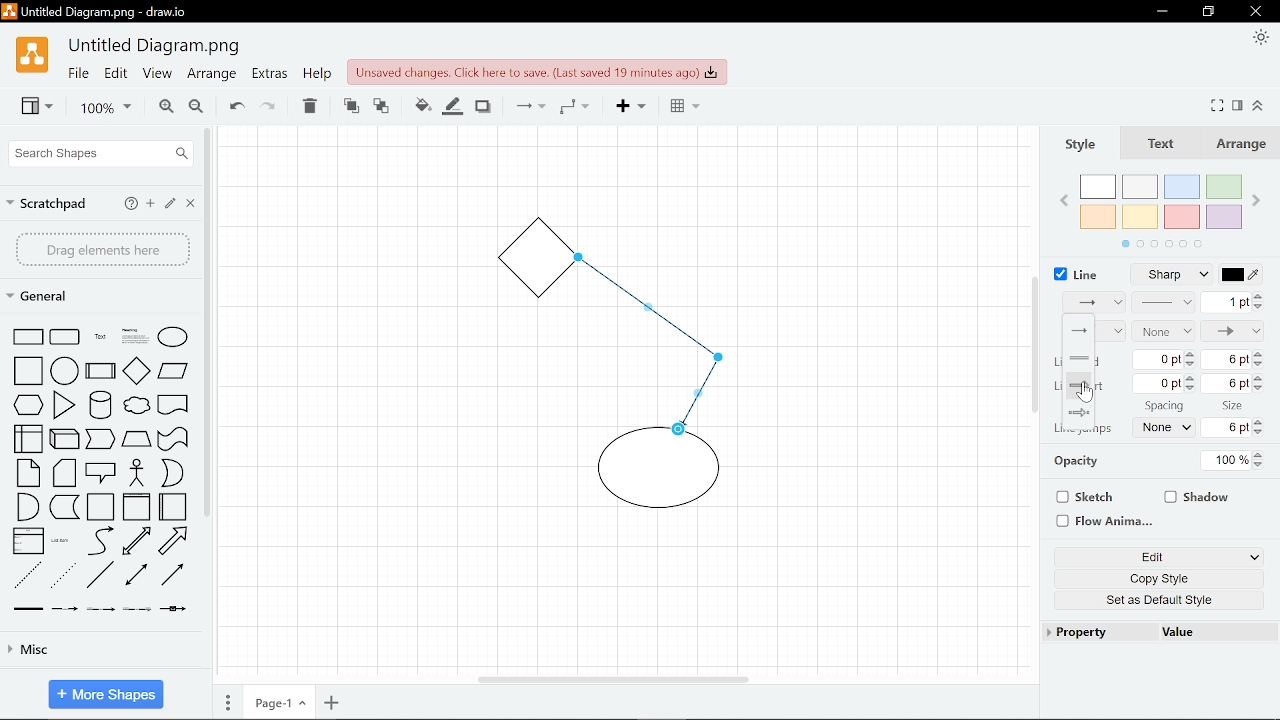 This screenshot has width=1280, height=720. Describe the element at coordinates (174, 407) in the screenshot. I see `shape` at that location.